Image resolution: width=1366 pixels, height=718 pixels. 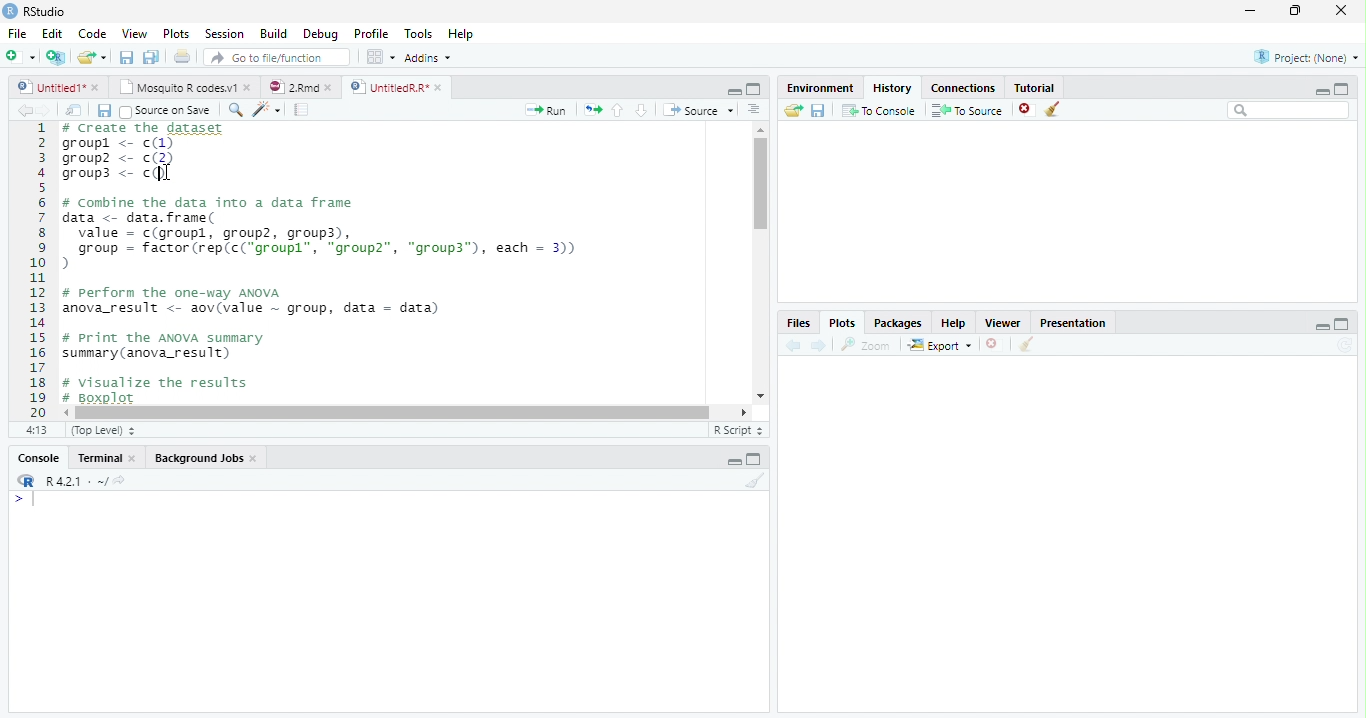 What do you see at coordinates (993, 345) in the screenshot?
I see `Delete` at bounding box center [993, 345].